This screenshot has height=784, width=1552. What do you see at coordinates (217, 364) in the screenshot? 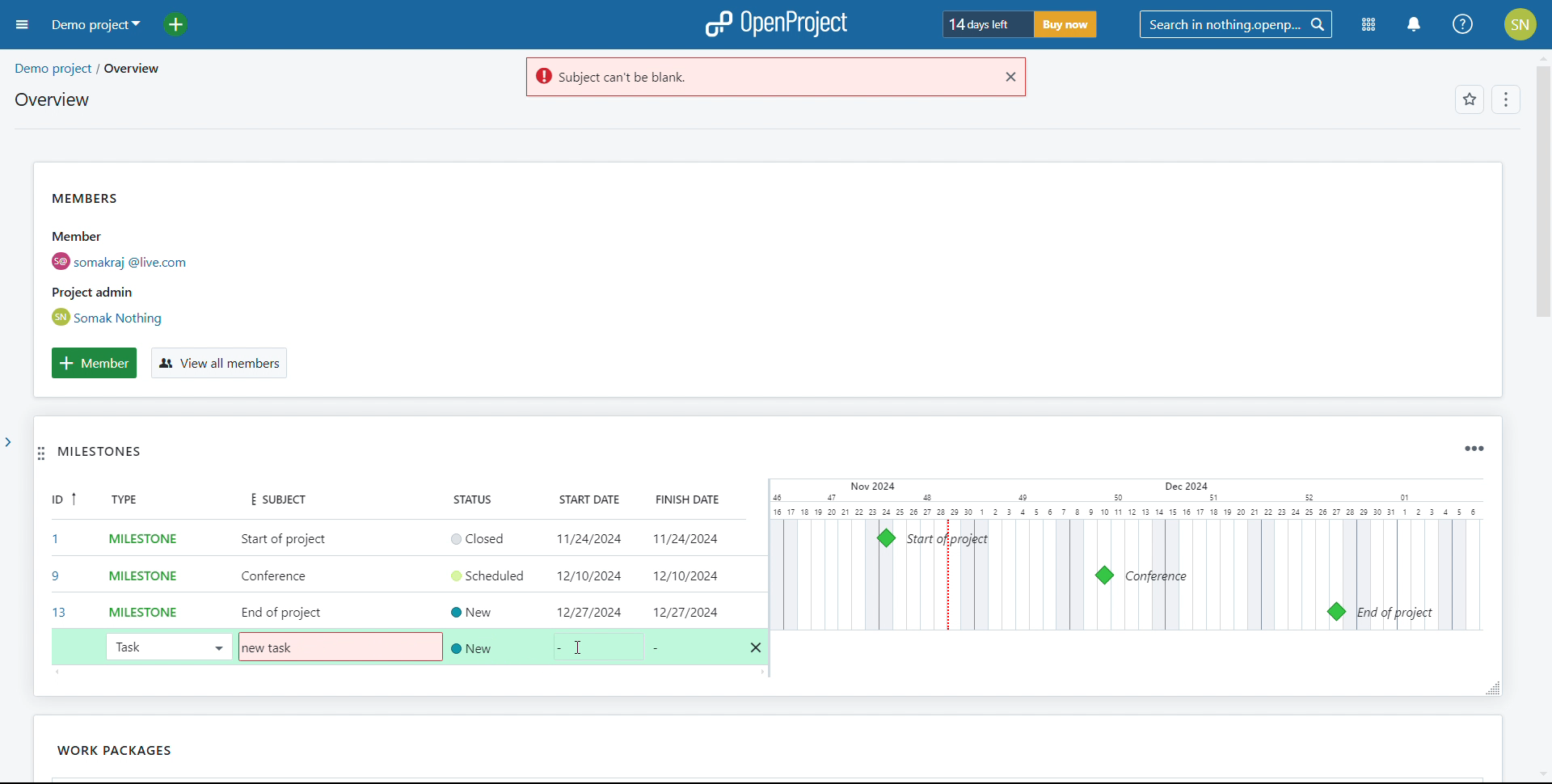
I see `view all members` at bounding box center [217, 364].